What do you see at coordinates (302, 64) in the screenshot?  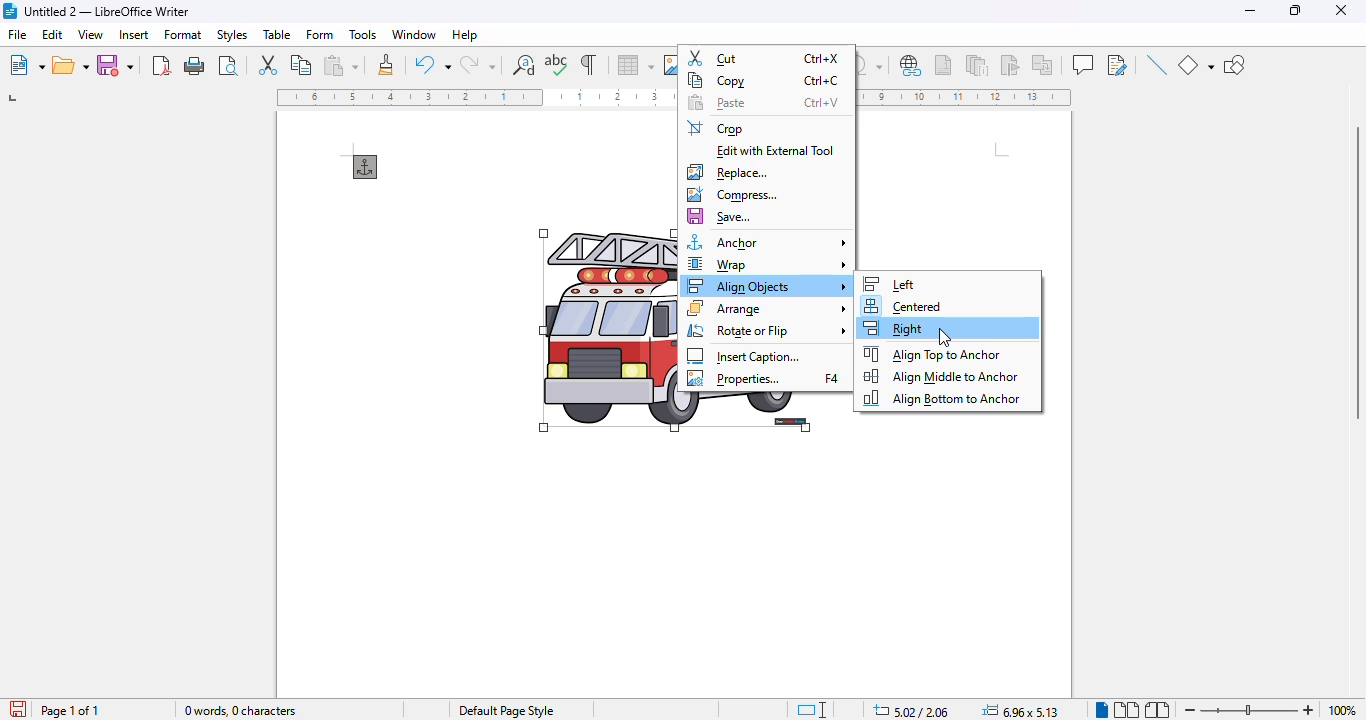 I see `copy` at bounding box center [302, 64].